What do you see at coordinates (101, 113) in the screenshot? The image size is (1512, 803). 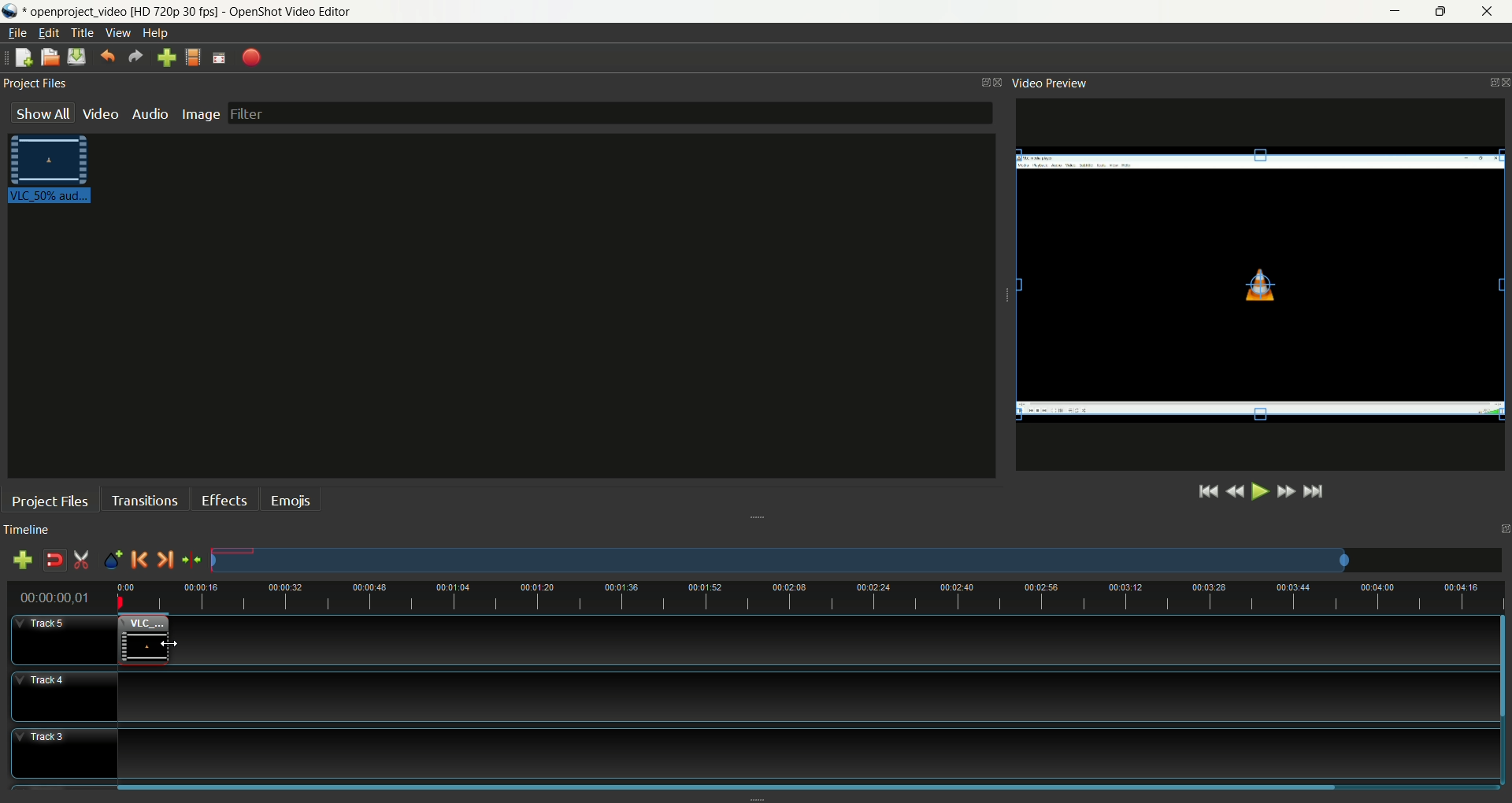 I see `video` at bounding box center [101, 113].